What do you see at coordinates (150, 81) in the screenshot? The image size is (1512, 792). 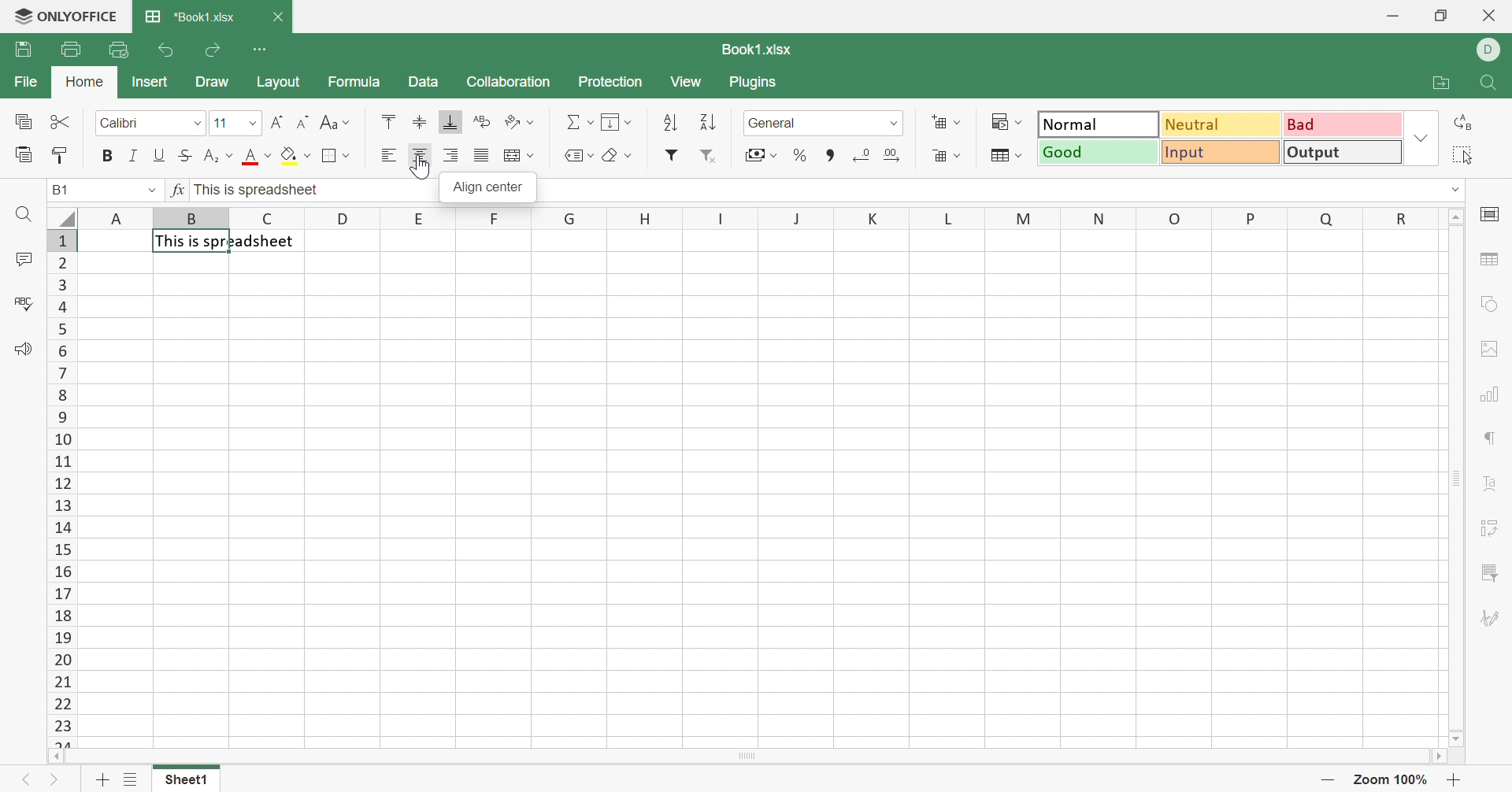 I see `Insert` at bounding box center [150, 81].